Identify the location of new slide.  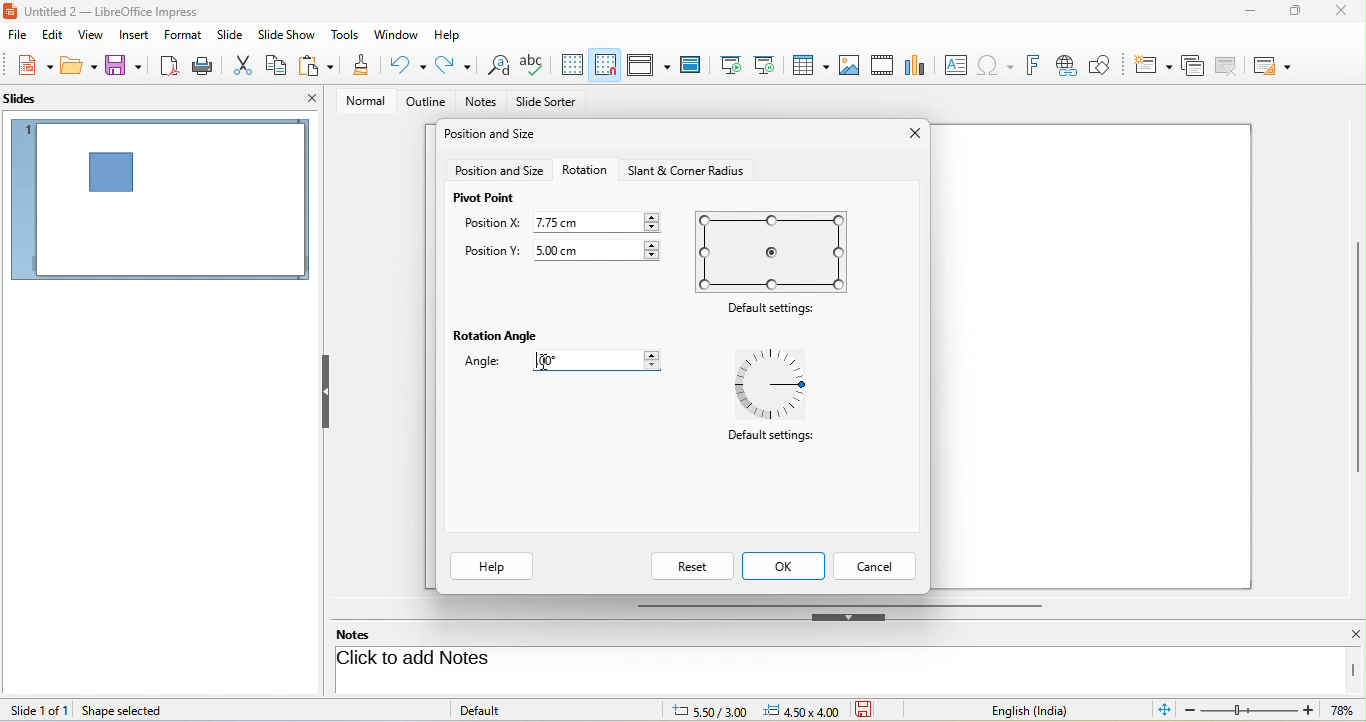
(1153, 63).